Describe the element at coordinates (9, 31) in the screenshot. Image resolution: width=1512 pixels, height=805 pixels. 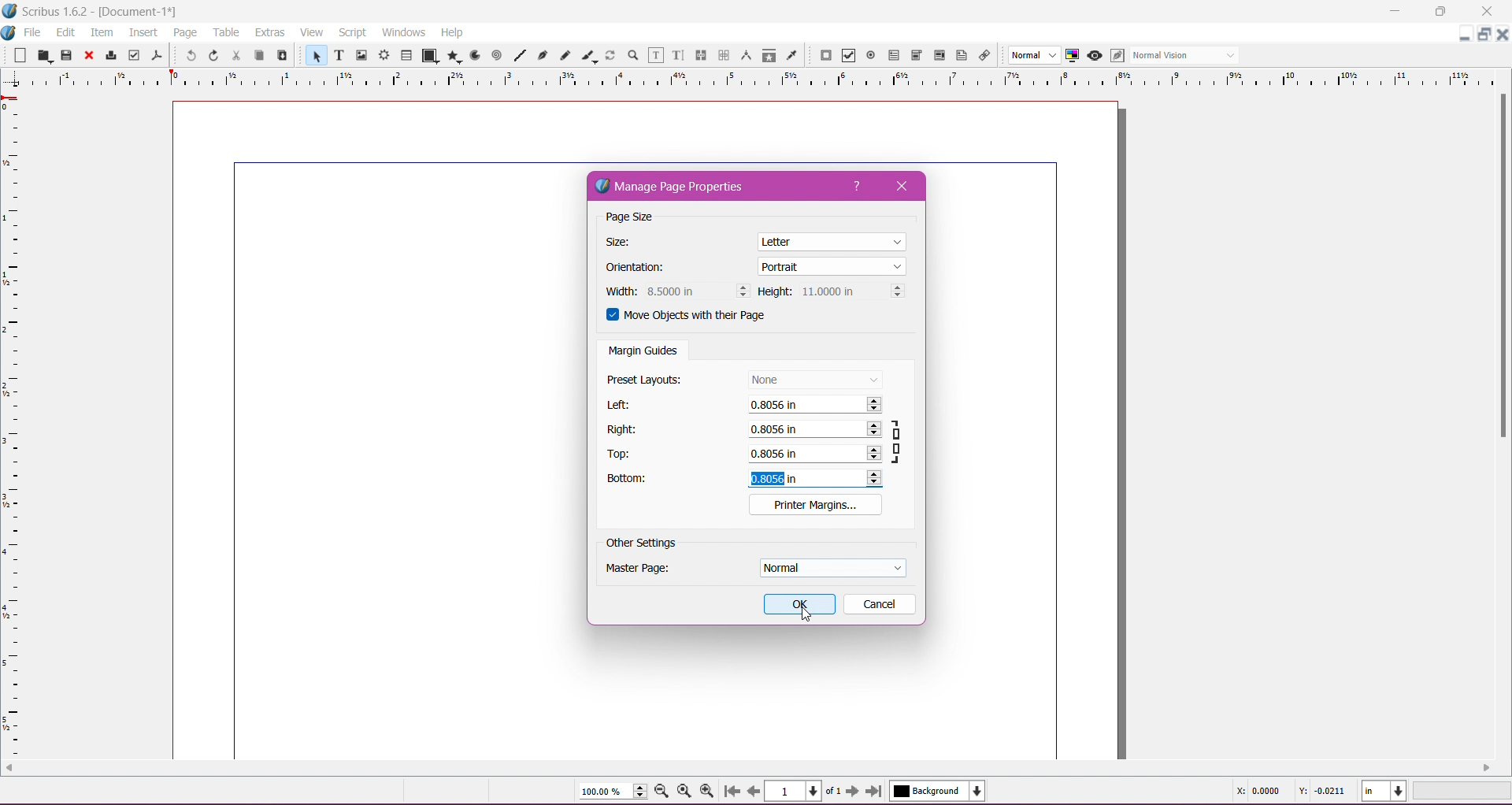
I see `Document Options` at that location.